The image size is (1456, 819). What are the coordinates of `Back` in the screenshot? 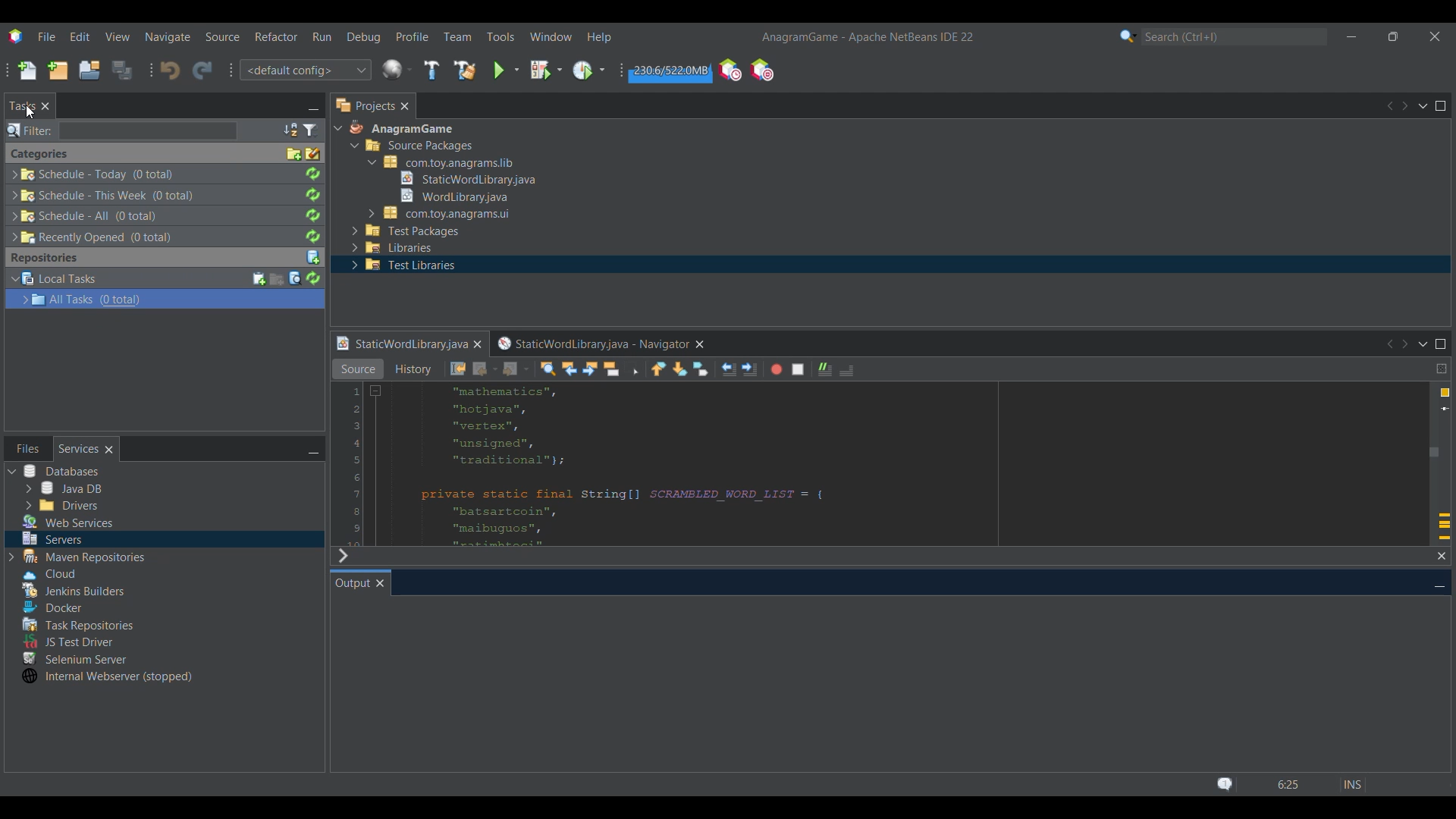 It's located at (485, 369).